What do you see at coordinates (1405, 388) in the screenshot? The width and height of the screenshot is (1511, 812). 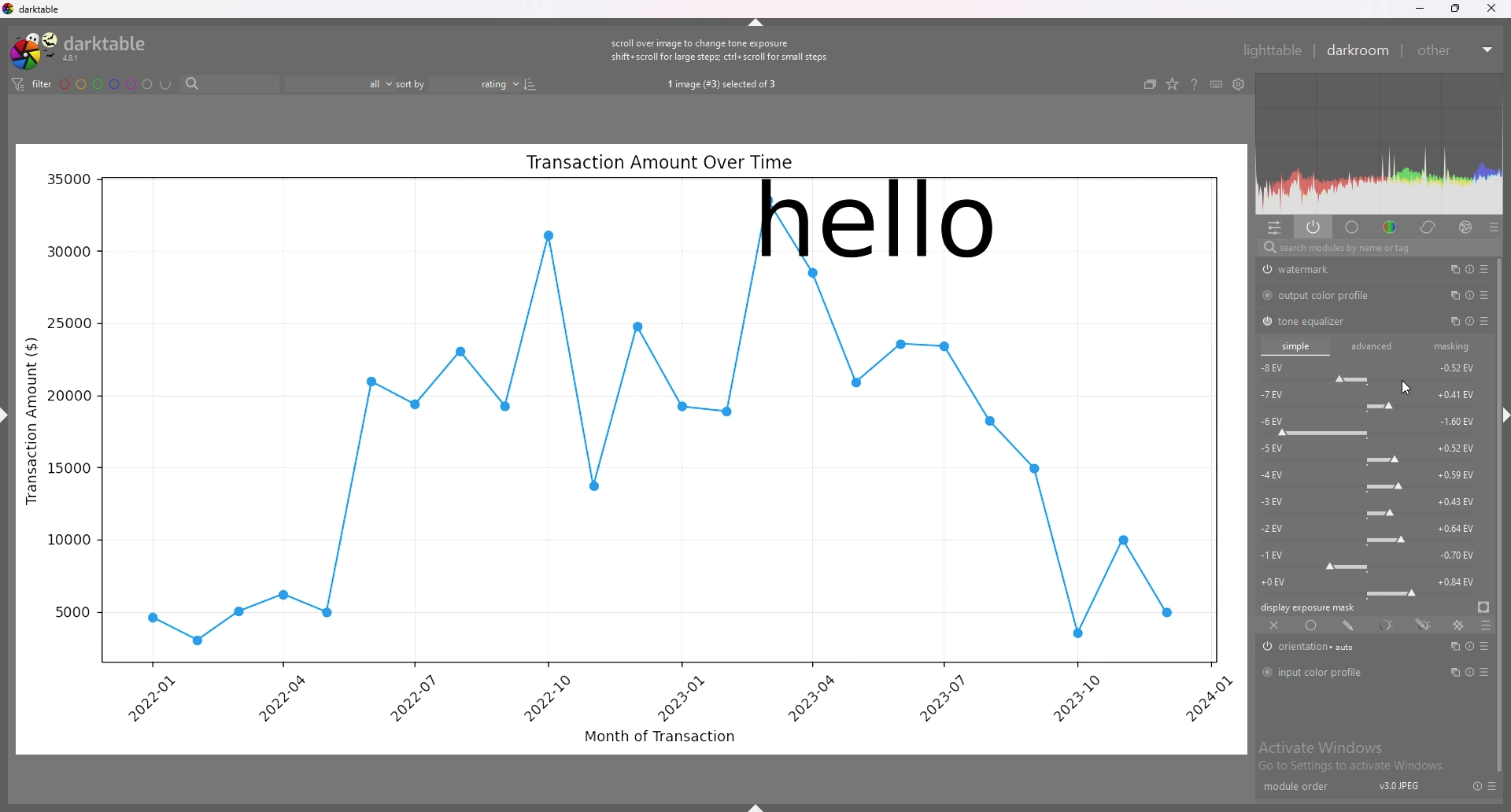 I see `cursor` at bounding box center [1405, 388].